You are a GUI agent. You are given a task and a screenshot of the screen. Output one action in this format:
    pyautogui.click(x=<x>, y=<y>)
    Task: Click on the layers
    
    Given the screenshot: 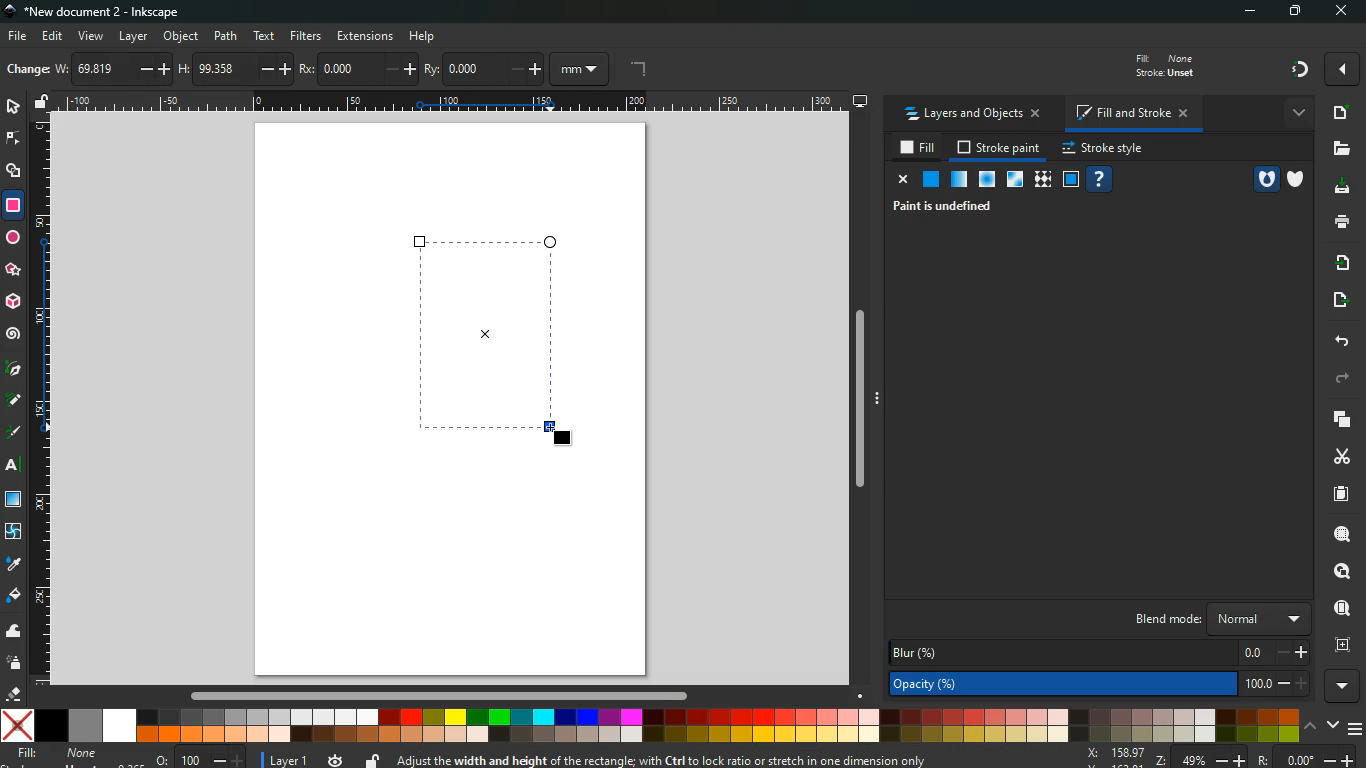 What is the action you would take?
    pyautogui.click(x=1344, y=421)
    